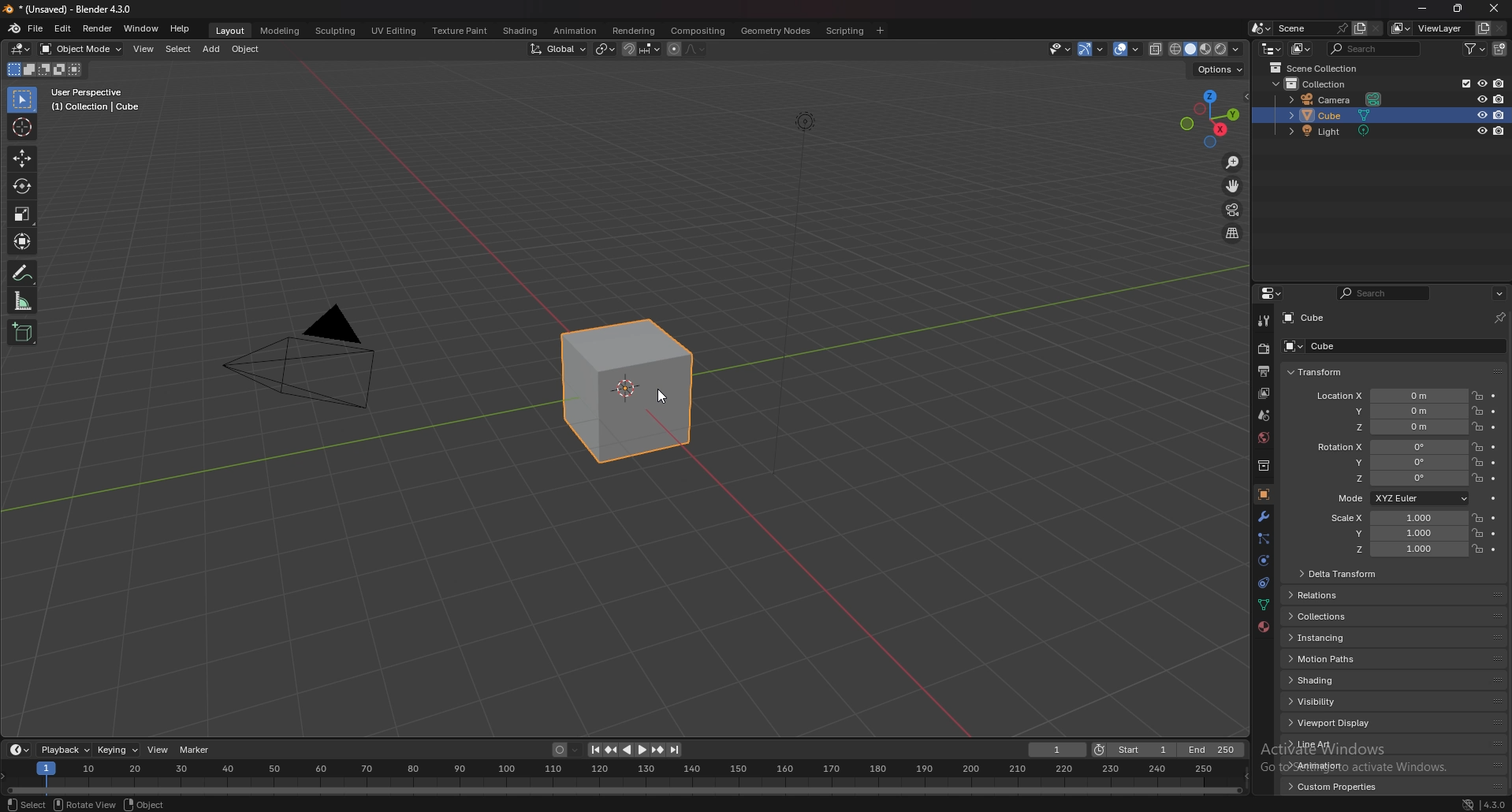 The image size is (1512, 812). Describe the element at coordinates (23, 186) in the screenshot. I see `rotate` at that location.